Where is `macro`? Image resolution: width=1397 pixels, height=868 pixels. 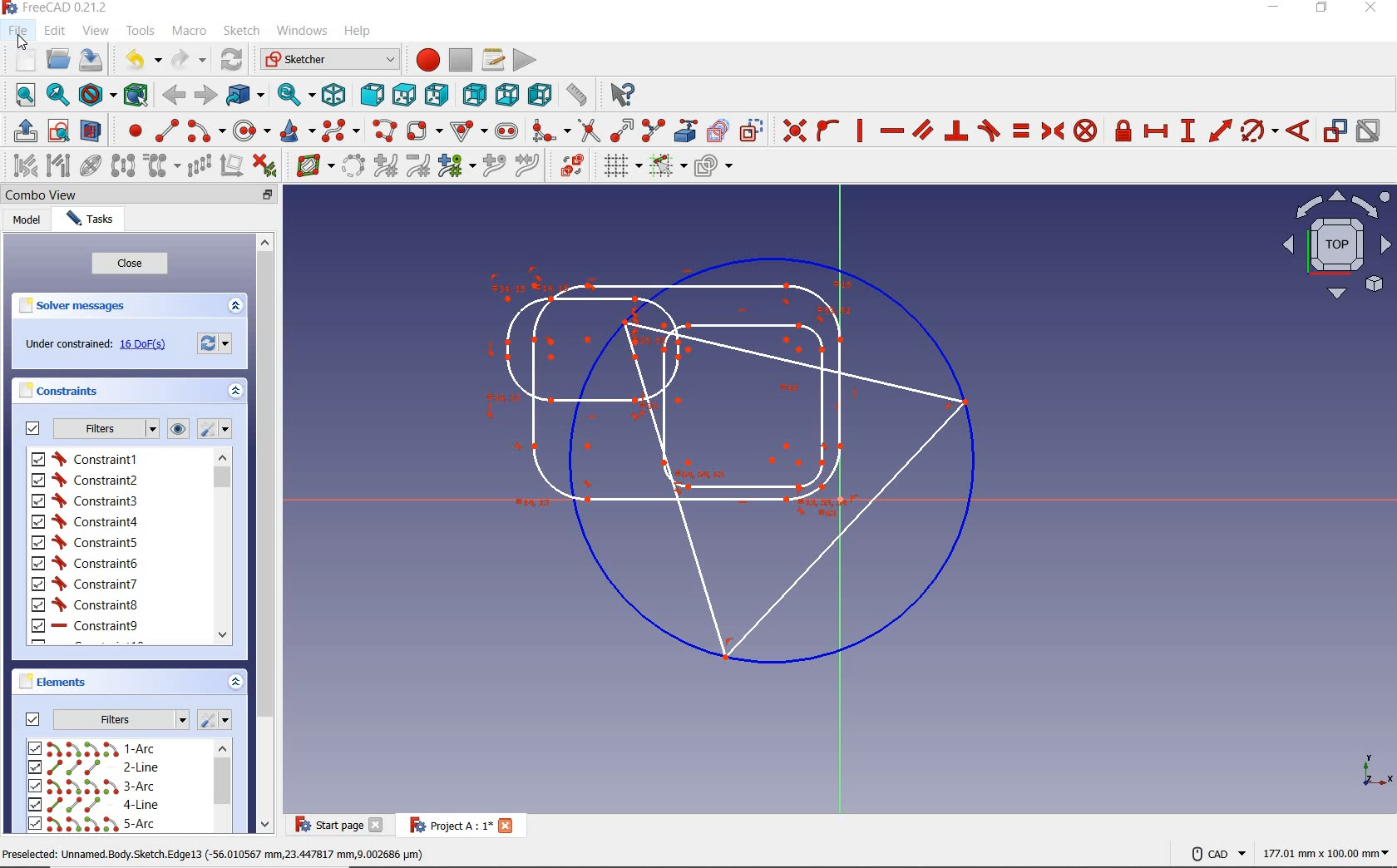 macro is located at coordinates (189, 33).